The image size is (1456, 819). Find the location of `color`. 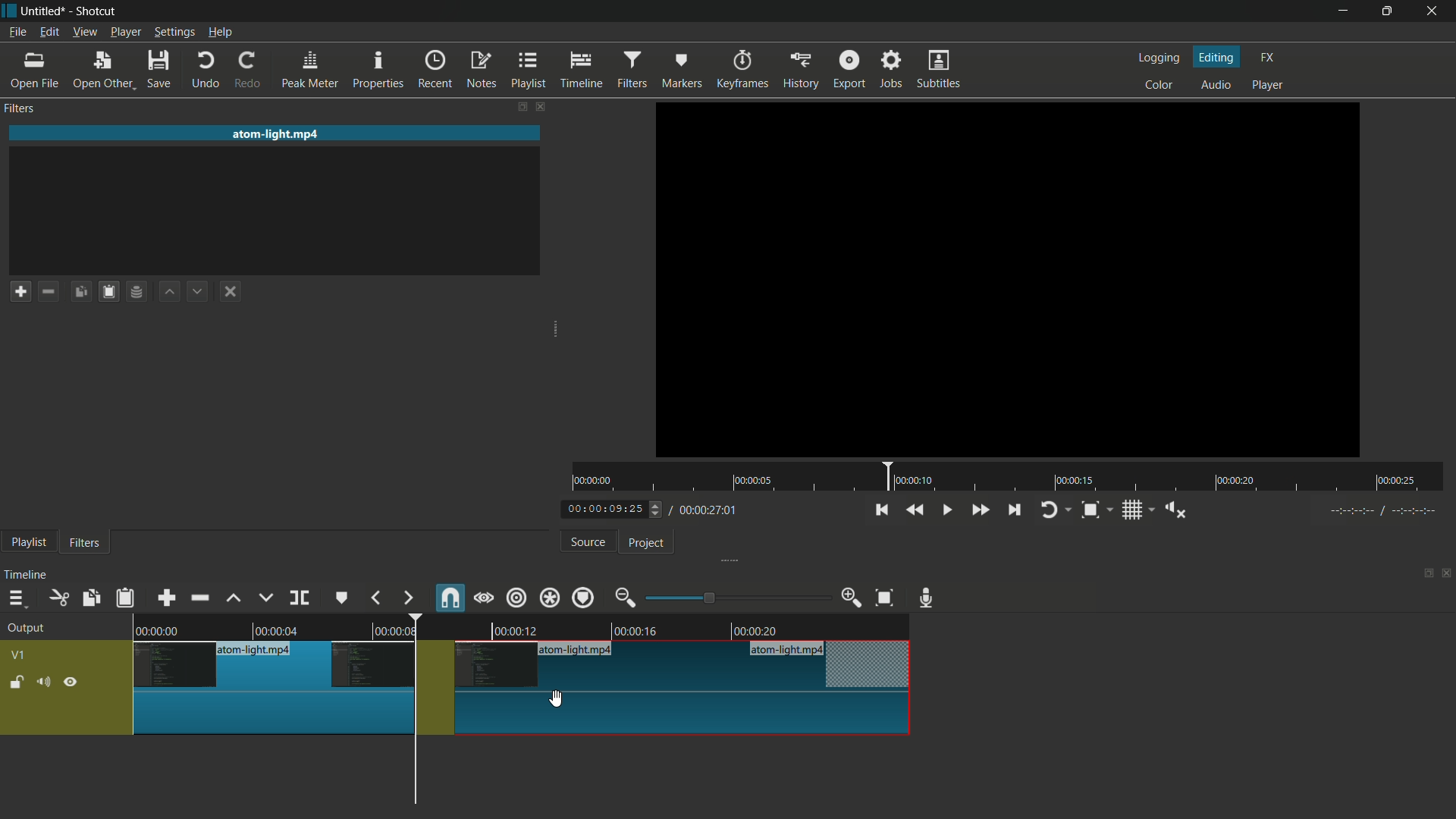

color is located at coordinates (1159, 83).